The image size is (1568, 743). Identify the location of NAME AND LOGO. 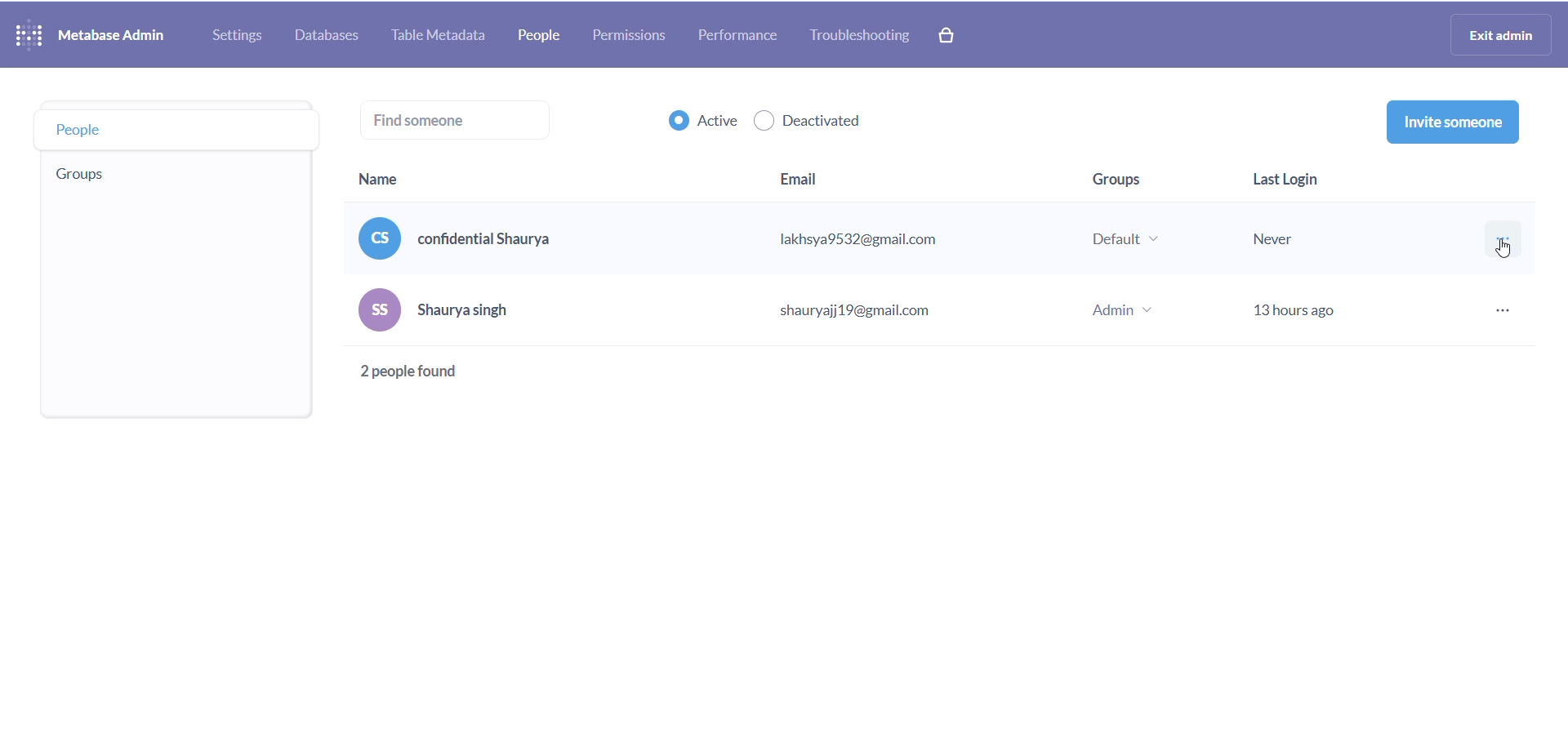
(105, 33).